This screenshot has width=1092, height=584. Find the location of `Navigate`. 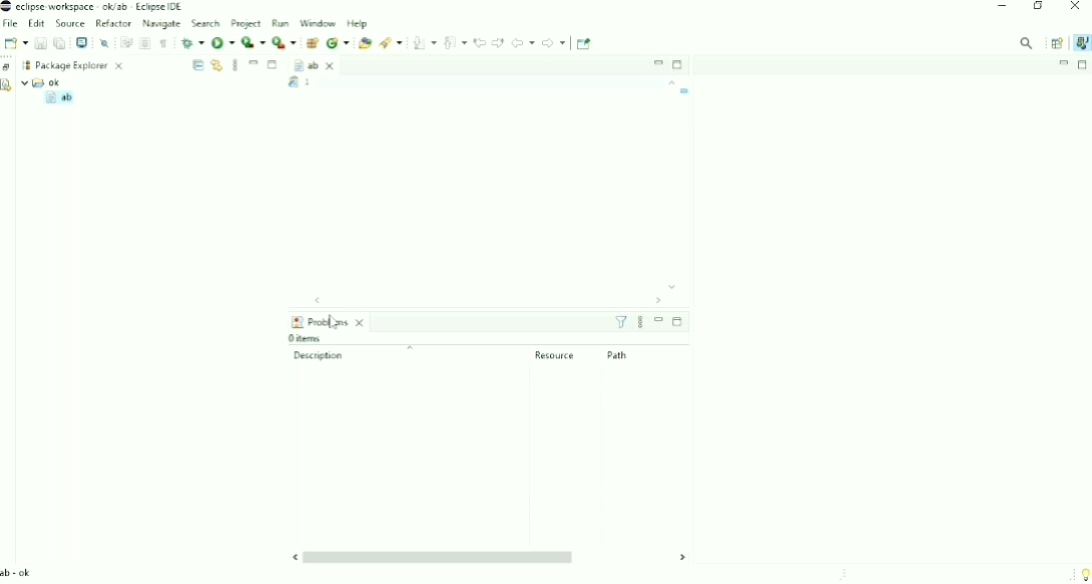

Navigate is located at coordinates (161, 24).